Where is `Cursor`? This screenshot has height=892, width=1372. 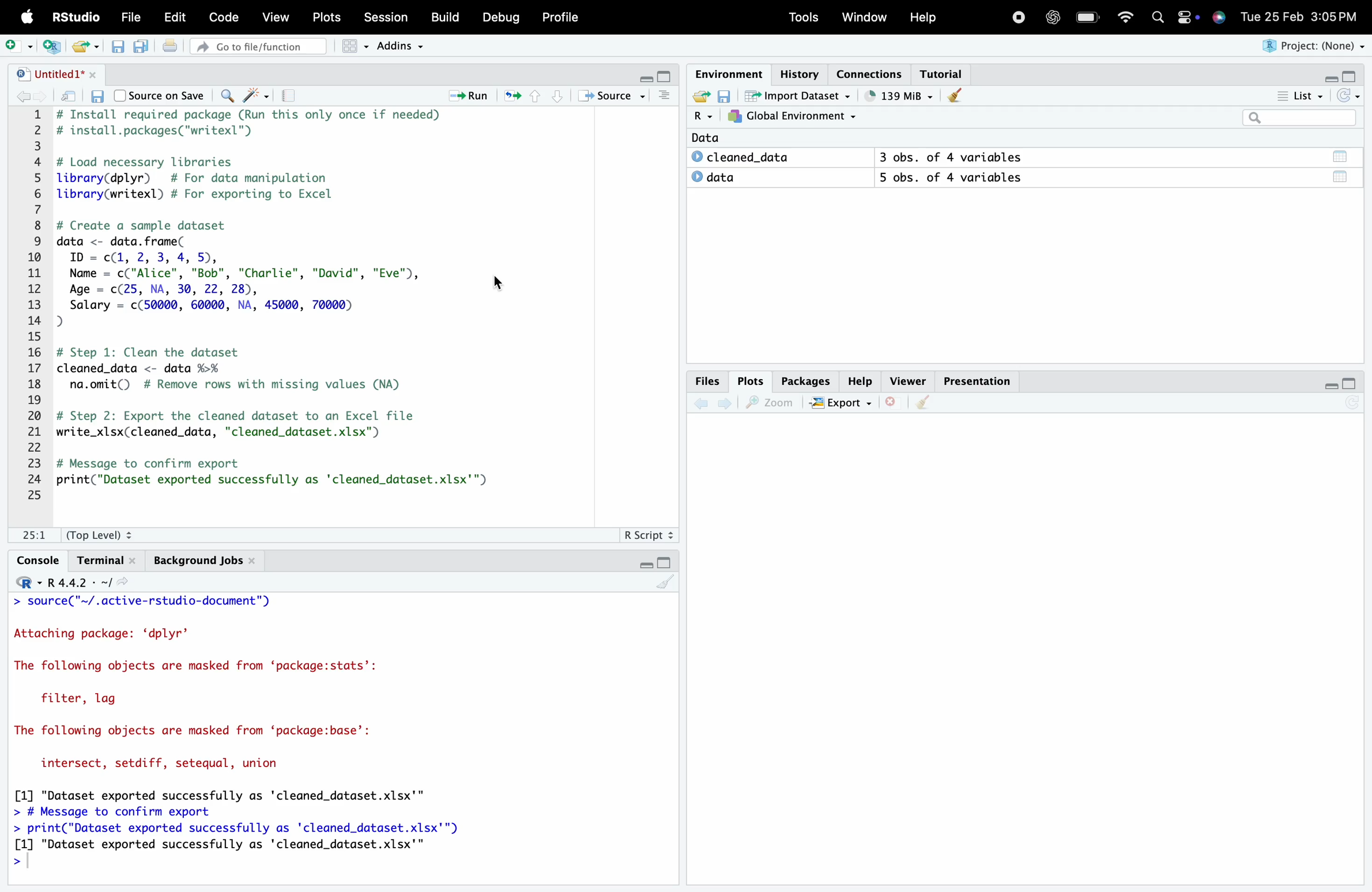
Cursor is located at coordinates (500, 287).